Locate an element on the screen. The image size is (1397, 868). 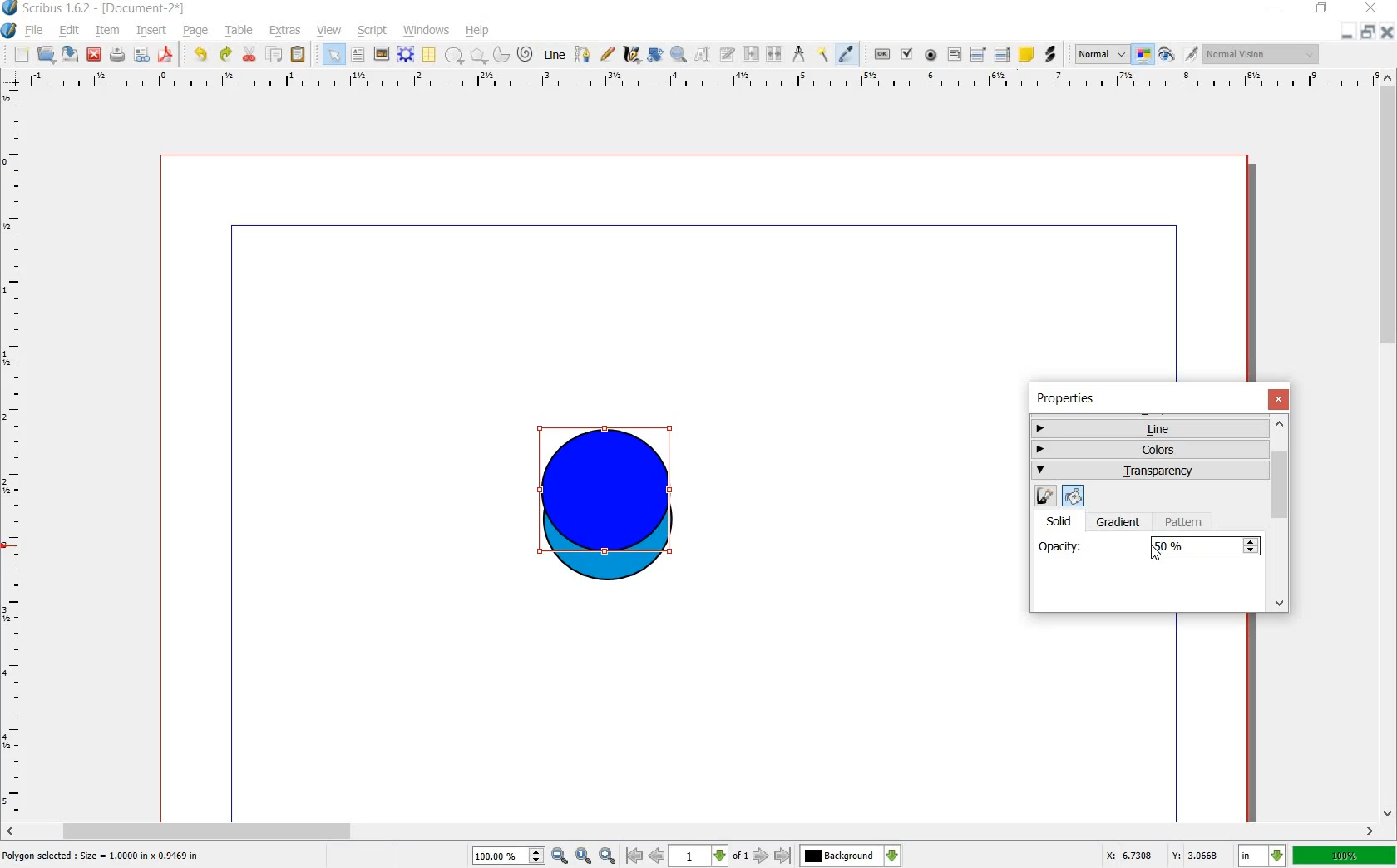
pattern is located at coordinates (1187, 522).